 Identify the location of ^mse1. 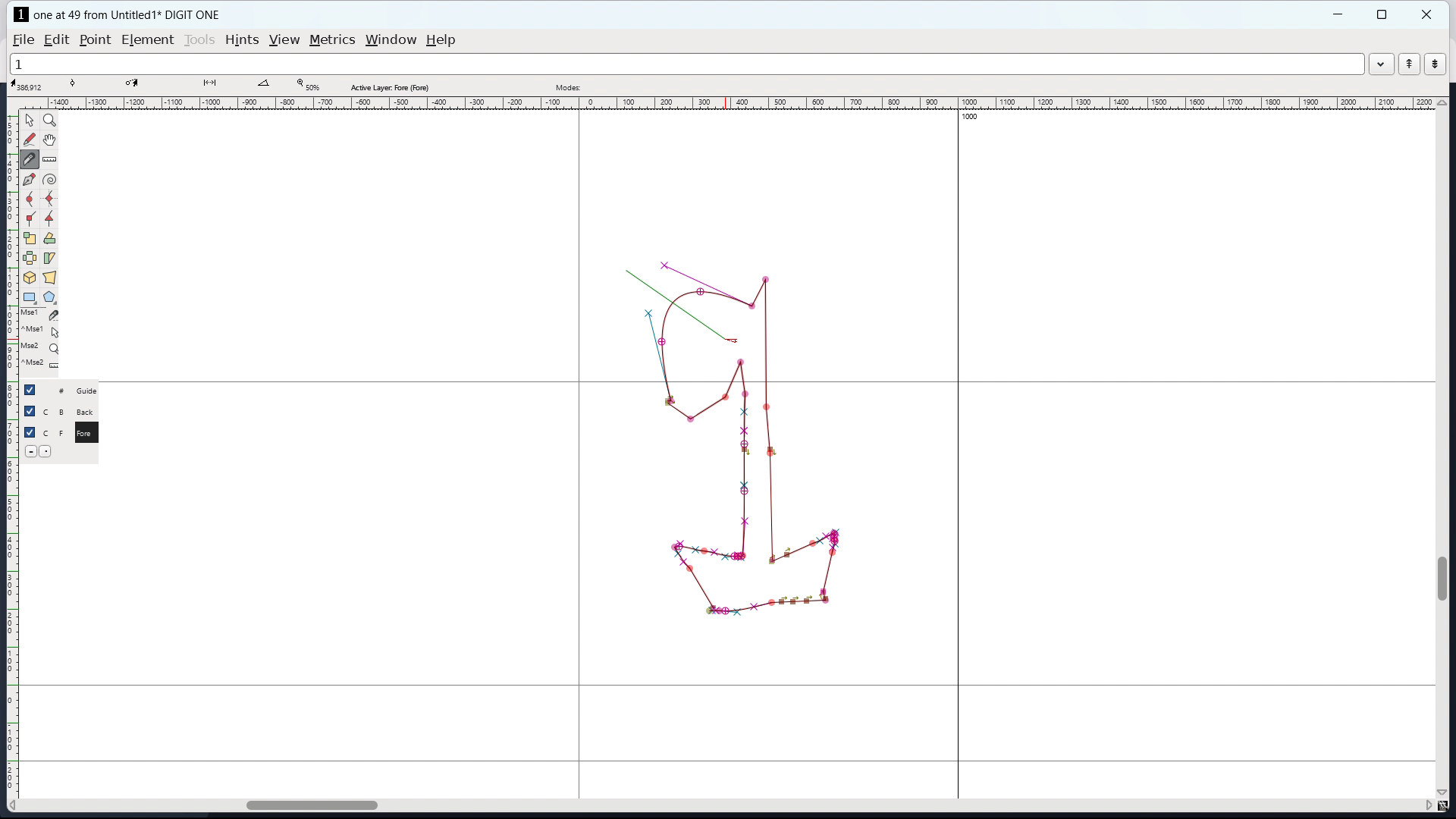
(42, 329).